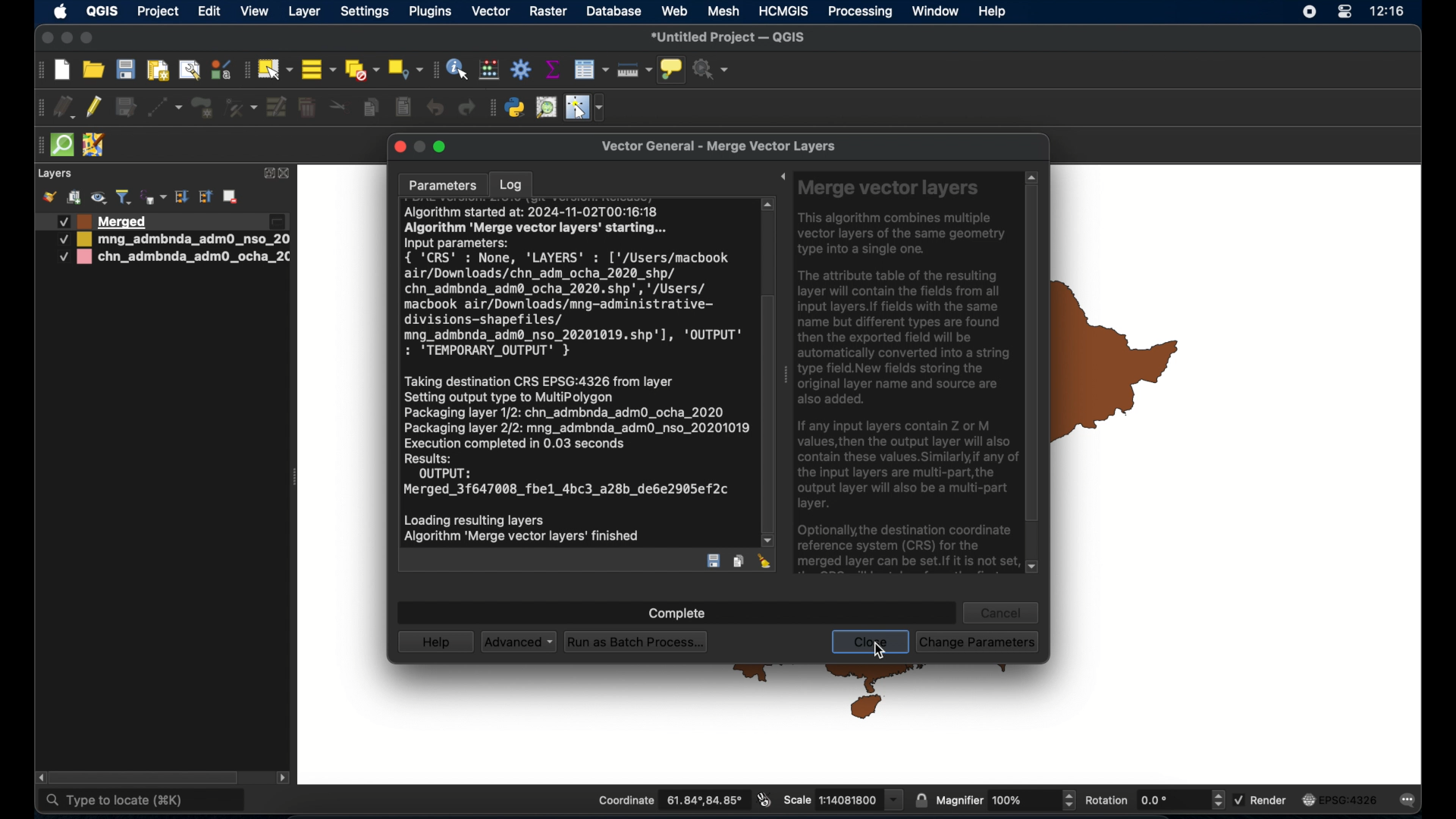  I want to click on expand, so click(268, 172).